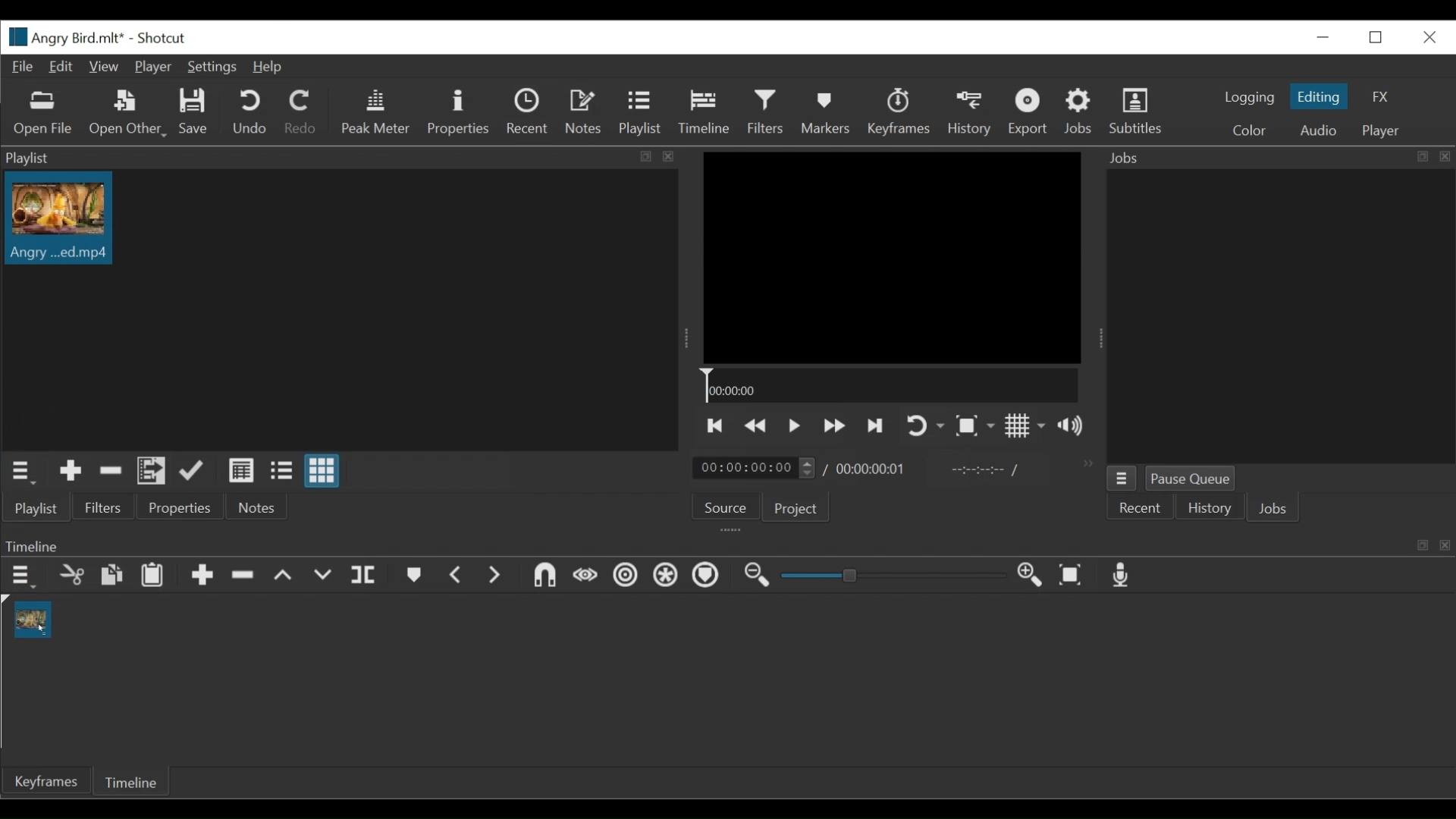 Image resolution: width=1456 pixels, height=819 pixels. What do you see at coordinates (836, 426) in the screenshot?
I see `Play forward quickly` at bounding box center [836, 426].